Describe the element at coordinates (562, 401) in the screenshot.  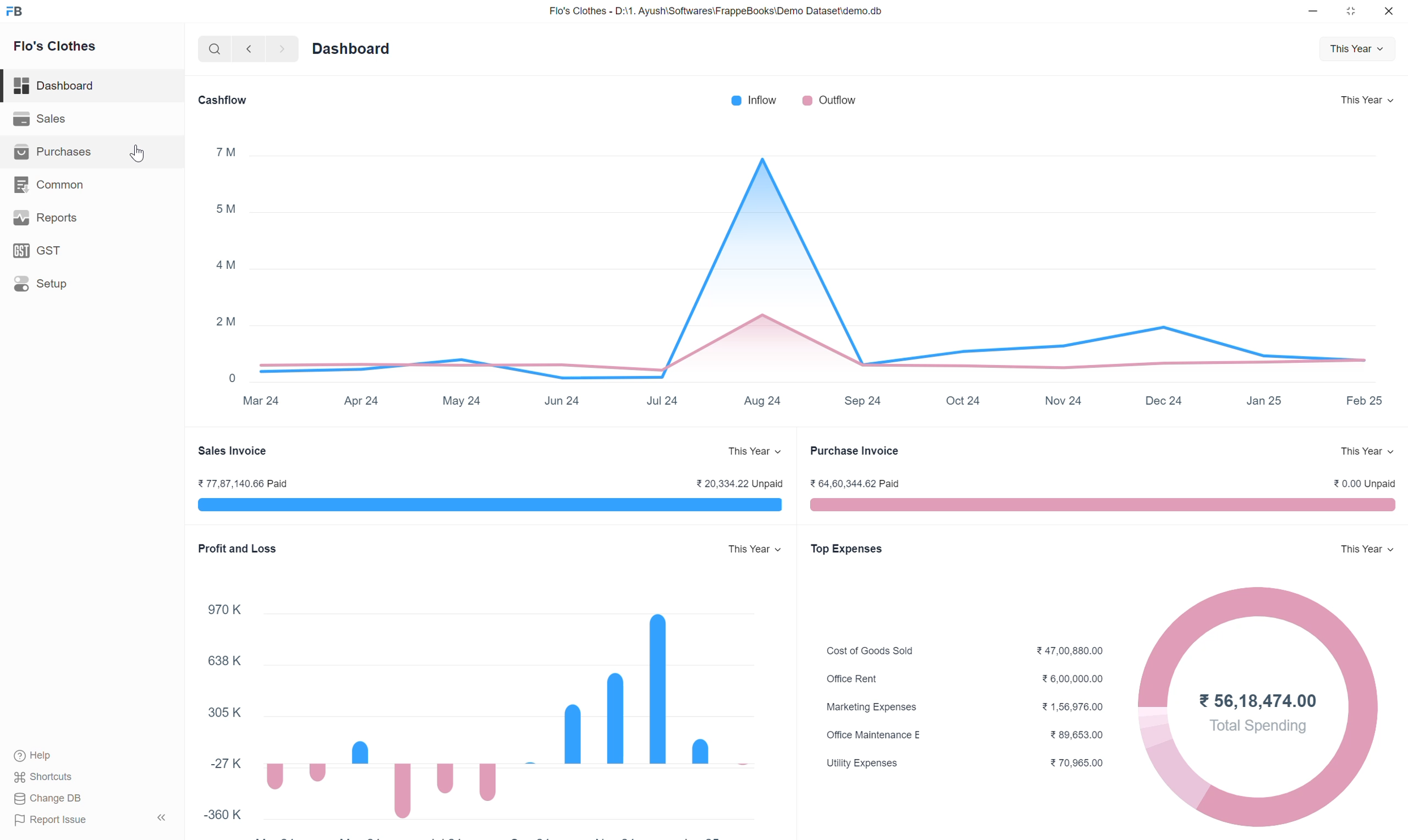
I see `Jun 24` at that location.